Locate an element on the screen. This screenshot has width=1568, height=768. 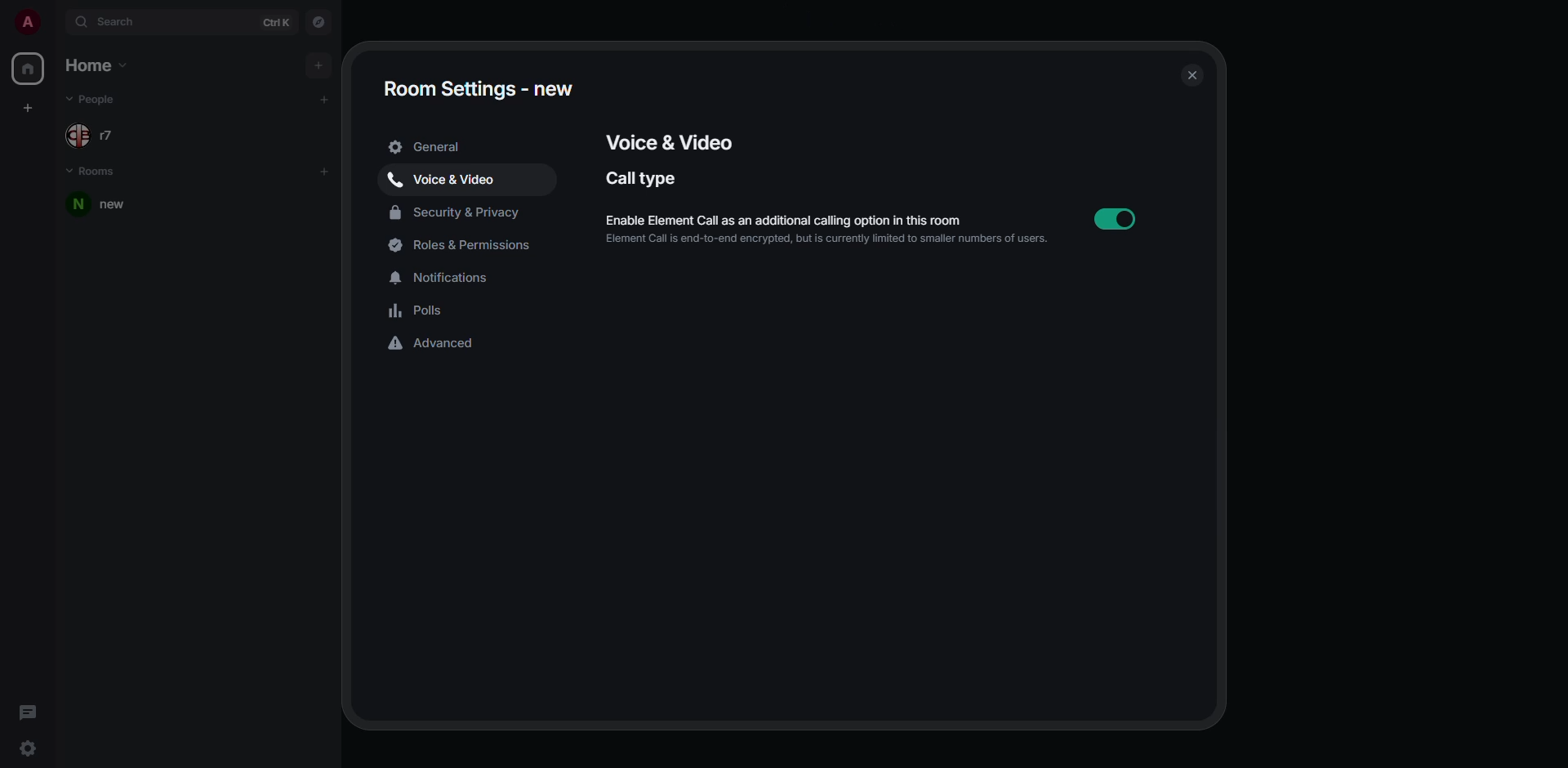
notifications is located at coordinates (448, 276).